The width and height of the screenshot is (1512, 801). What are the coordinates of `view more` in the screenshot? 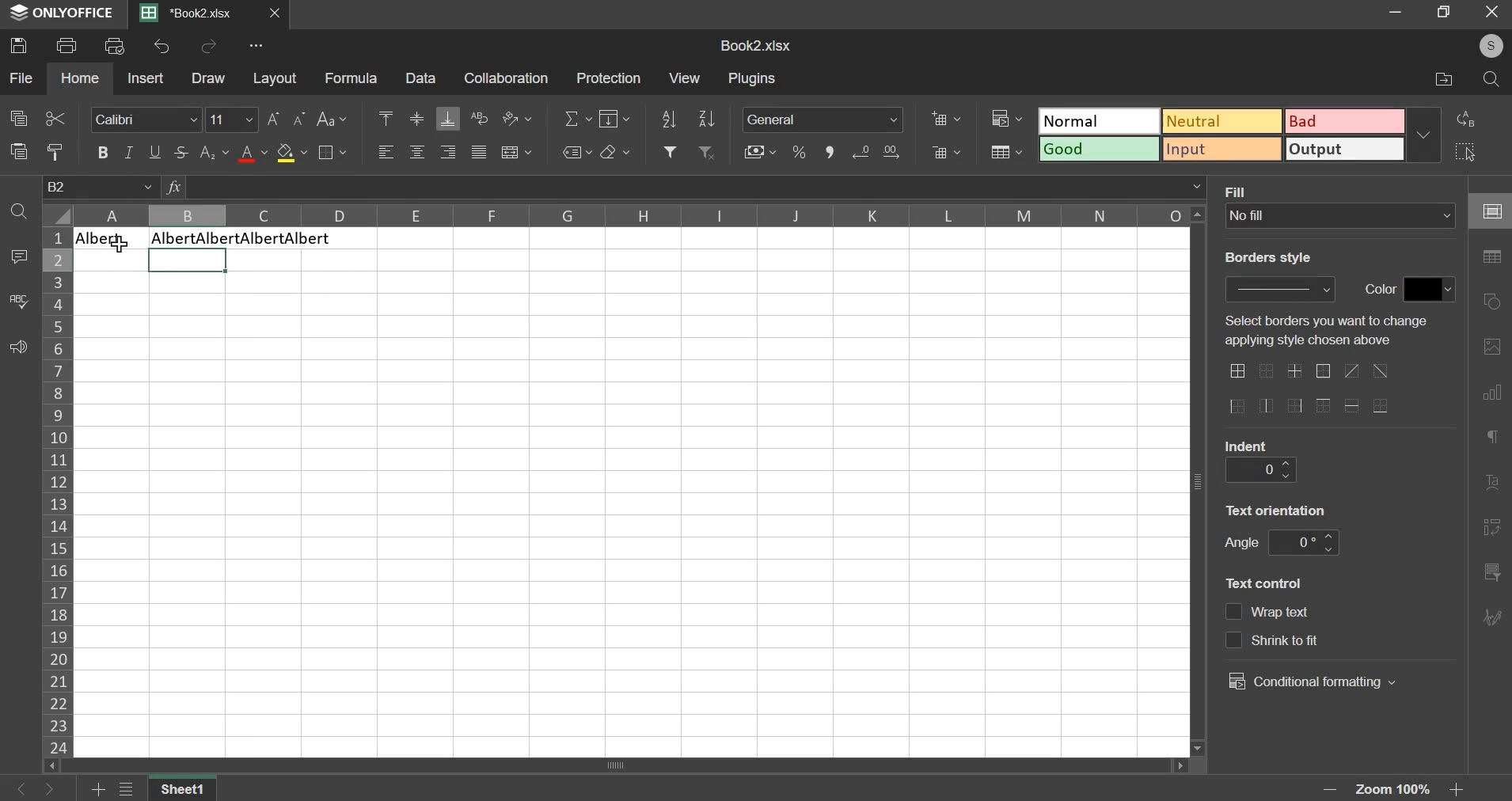 It's located at (257, 45).